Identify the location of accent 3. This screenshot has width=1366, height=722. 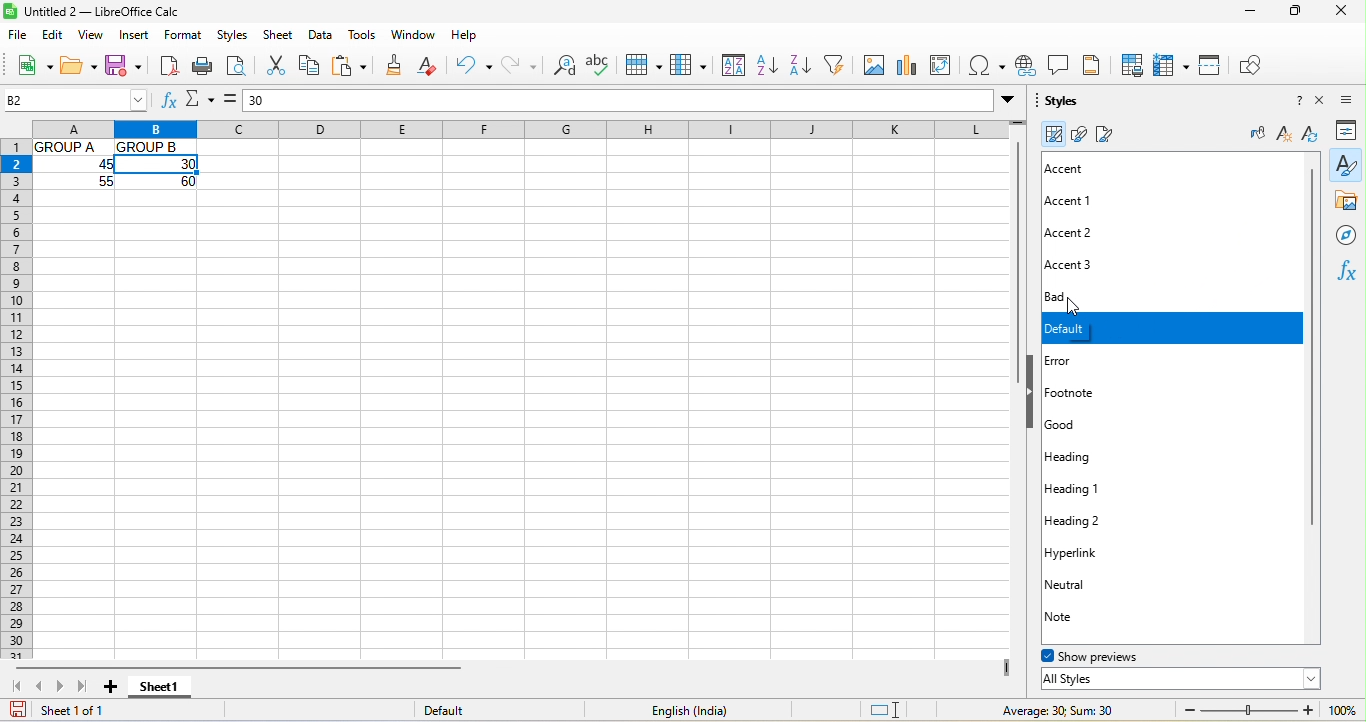
(1090, 262).